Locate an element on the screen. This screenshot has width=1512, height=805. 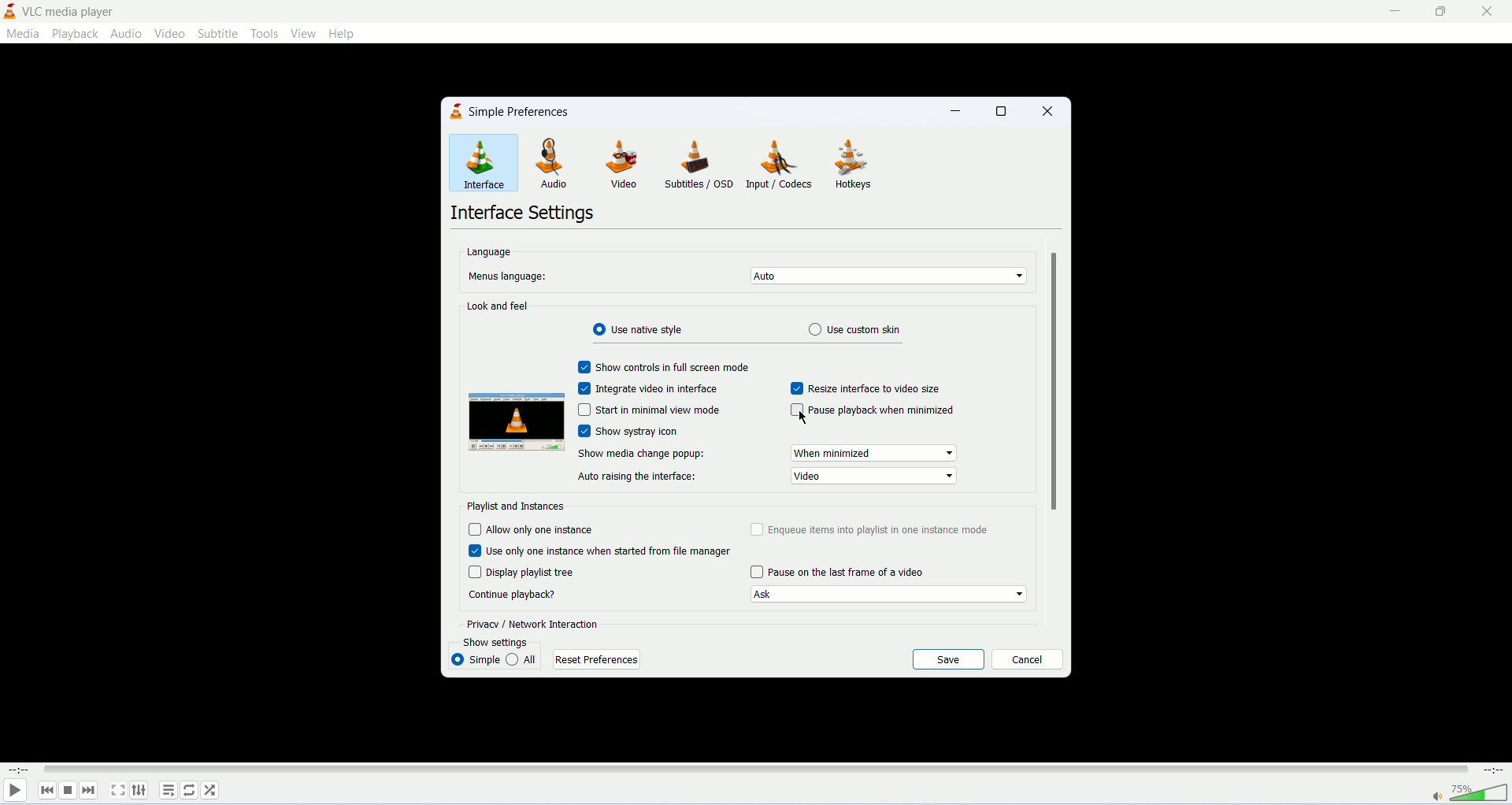
Checkbox is located at coordinates (473, 573).